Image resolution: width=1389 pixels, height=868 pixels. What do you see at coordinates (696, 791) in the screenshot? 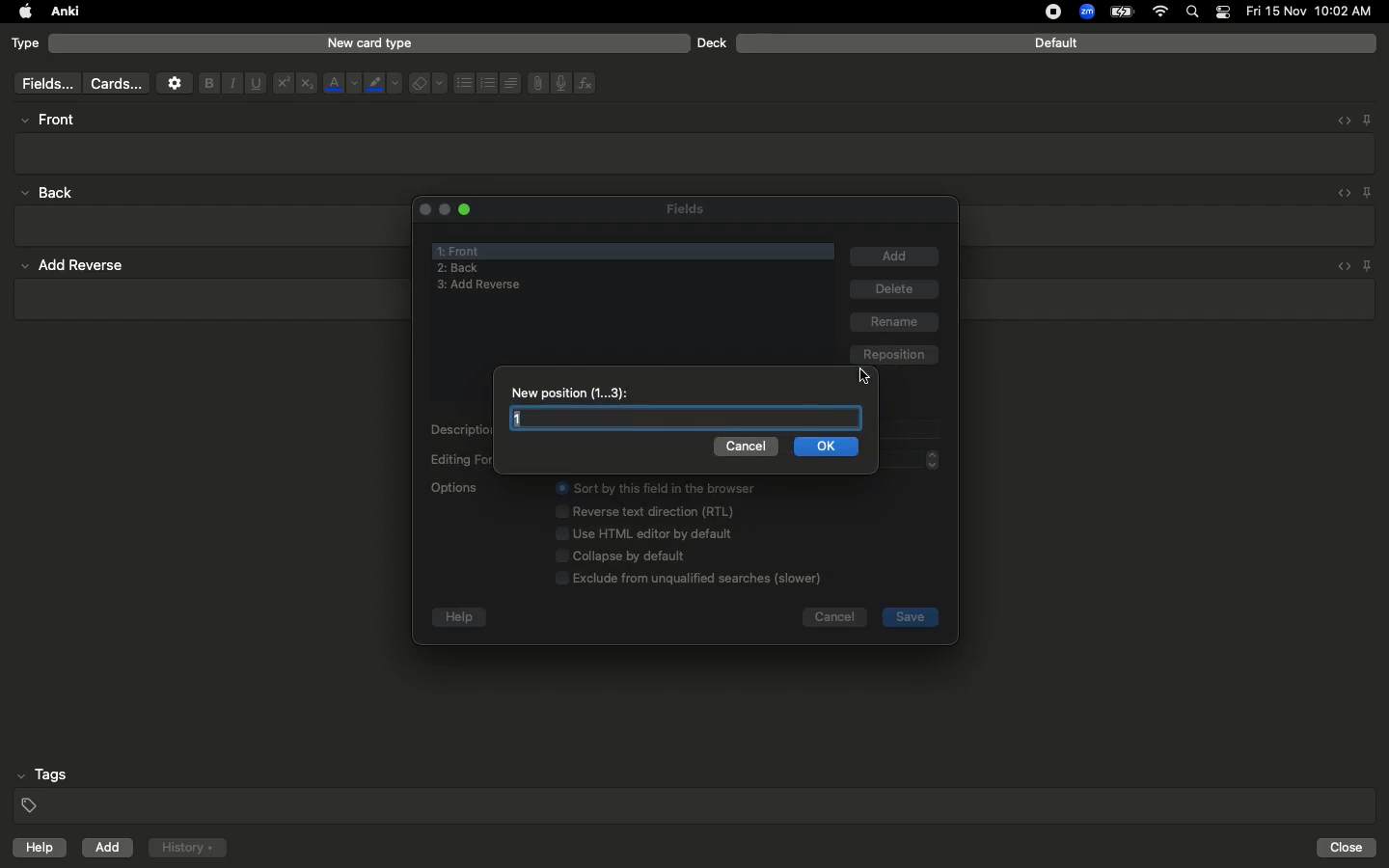
I see `Tags` at bounding box center [696, 791].